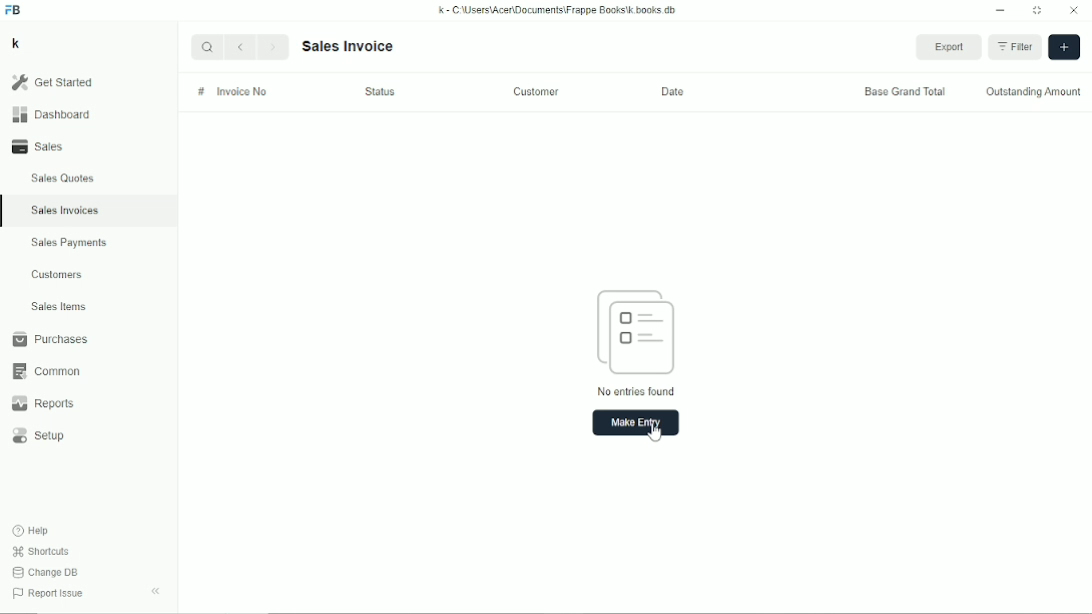  What do you see at coordinates (41, 436) in the screenshot?
I see `Setup` at bounding box center [41, 436].